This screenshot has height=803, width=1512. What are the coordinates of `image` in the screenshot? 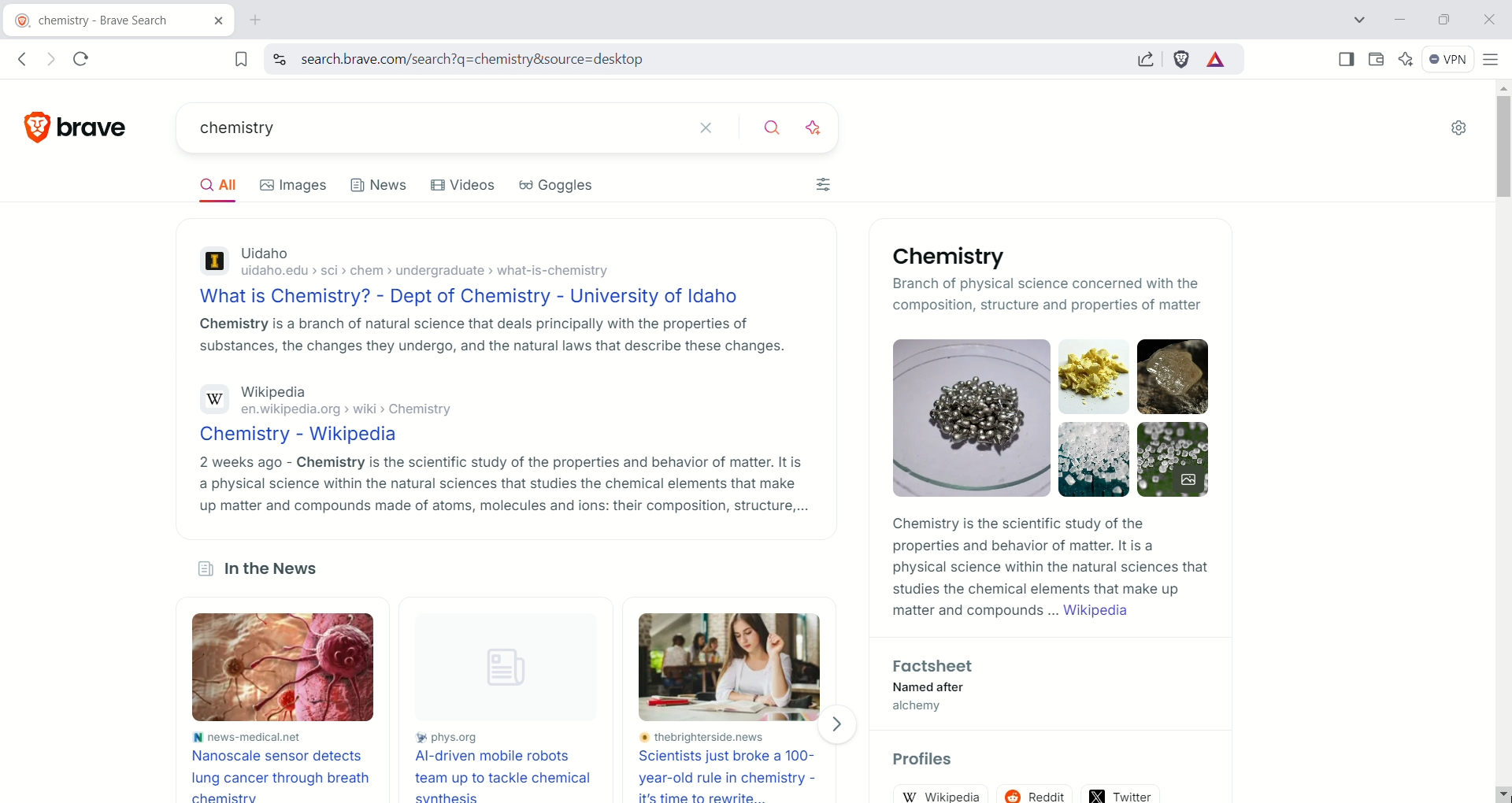 It's located at (735, 667).